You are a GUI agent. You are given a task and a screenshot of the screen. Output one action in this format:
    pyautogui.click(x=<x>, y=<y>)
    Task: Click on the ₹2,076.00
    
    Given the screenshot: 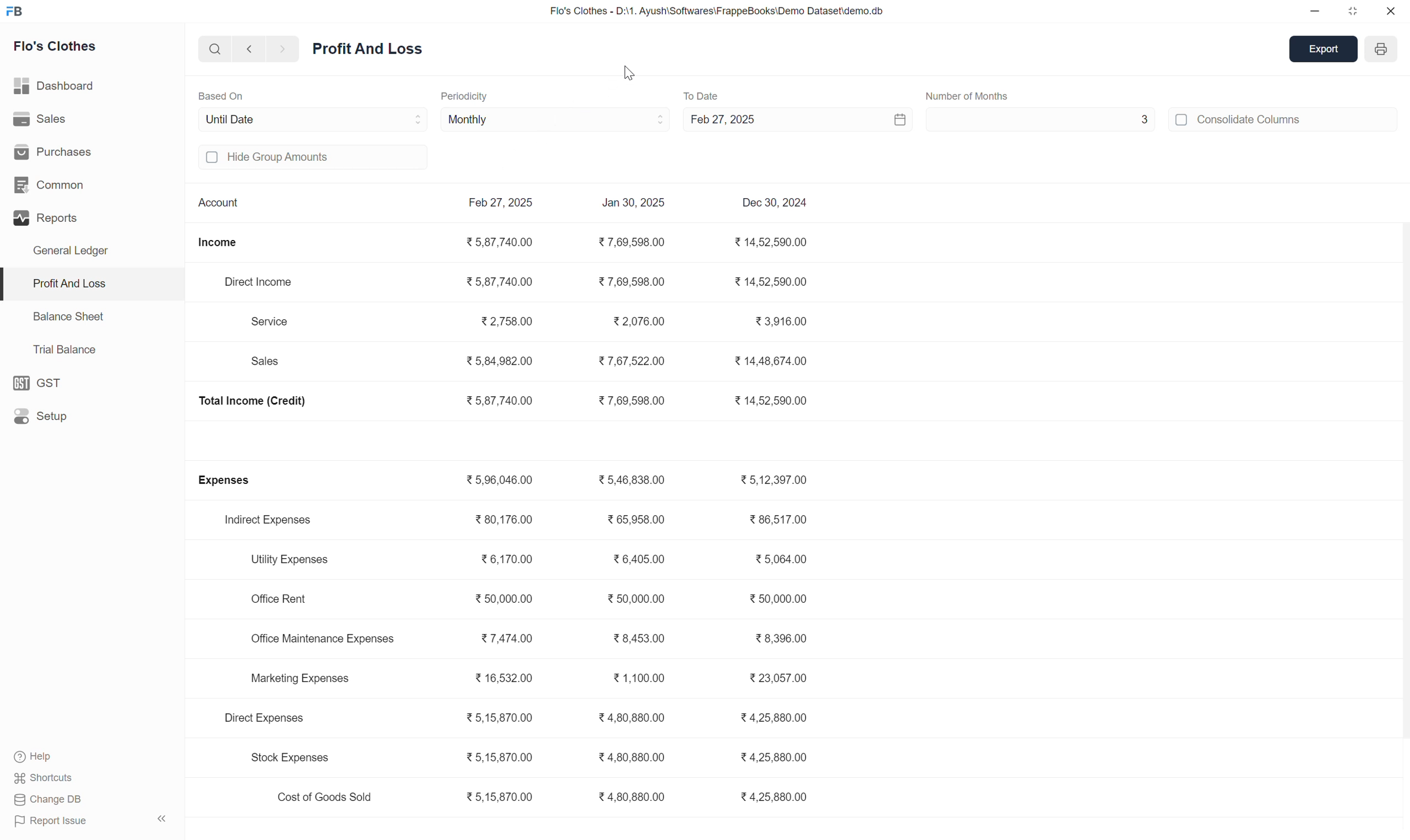 What is the action you would take?
    pyautogui.click(x=633, y=322)
    